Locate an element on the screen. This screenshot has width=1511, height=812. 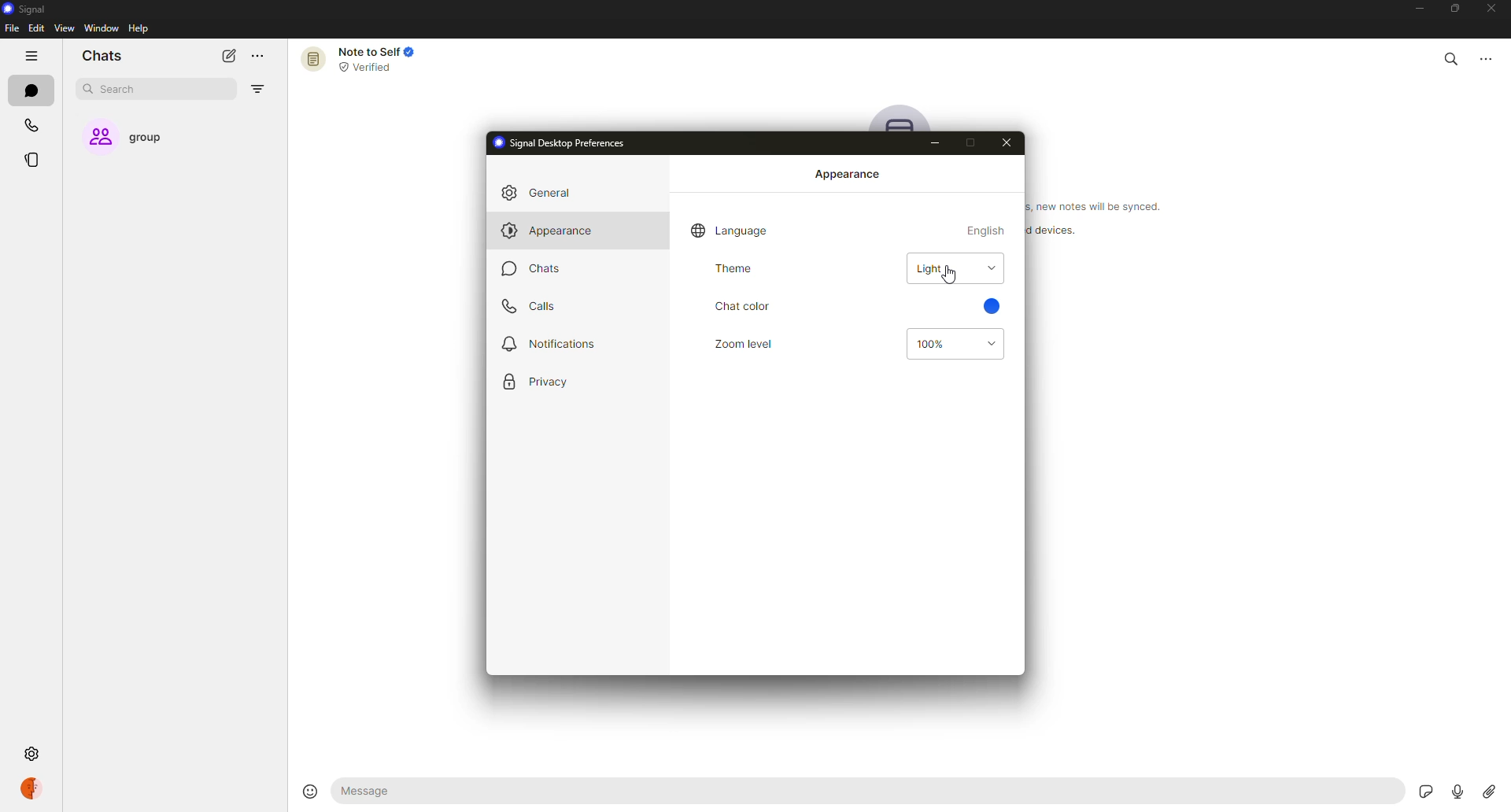
english is located at coordinates (987, 230).